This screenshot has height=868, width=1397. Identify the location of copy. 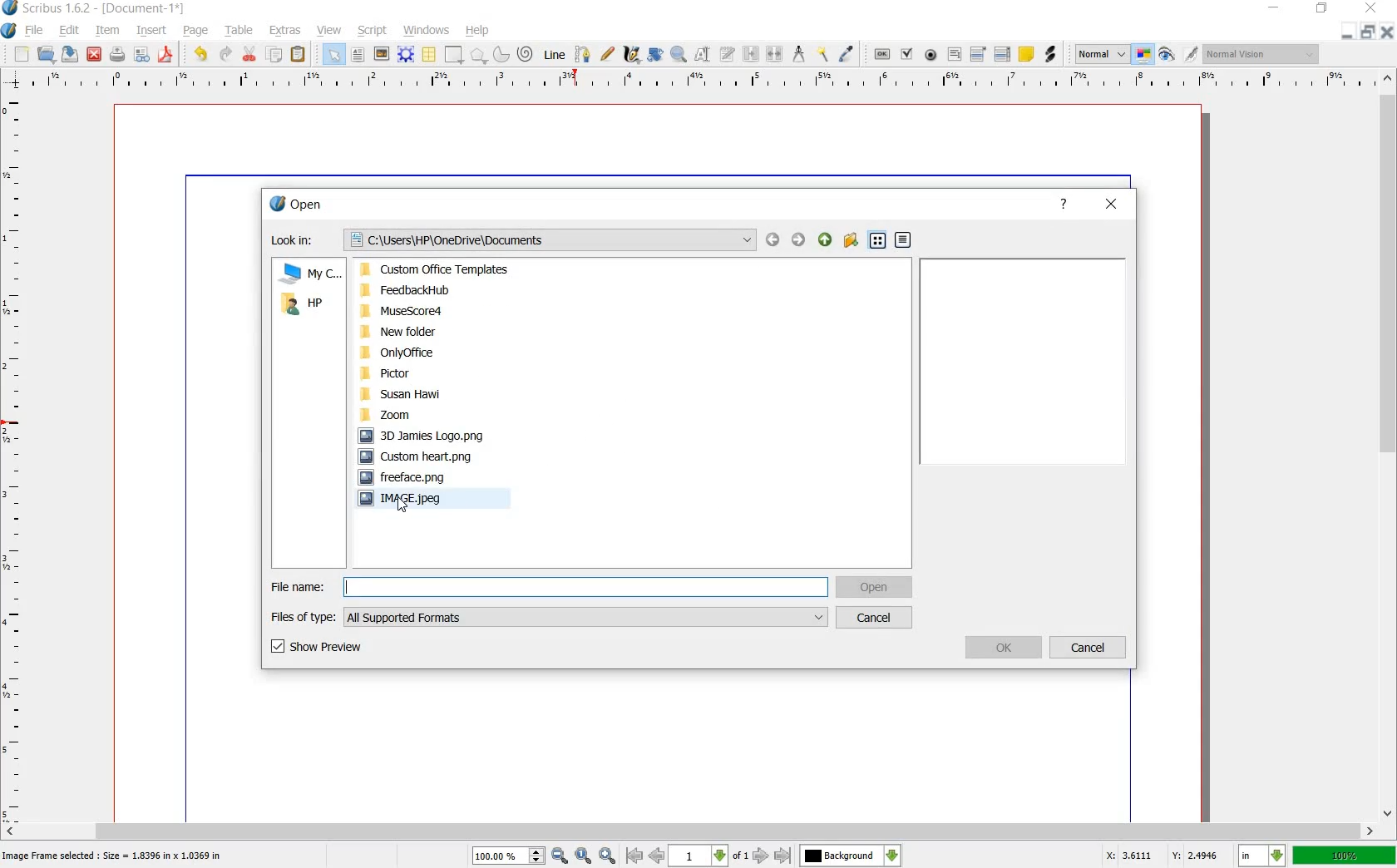
(275, 56).